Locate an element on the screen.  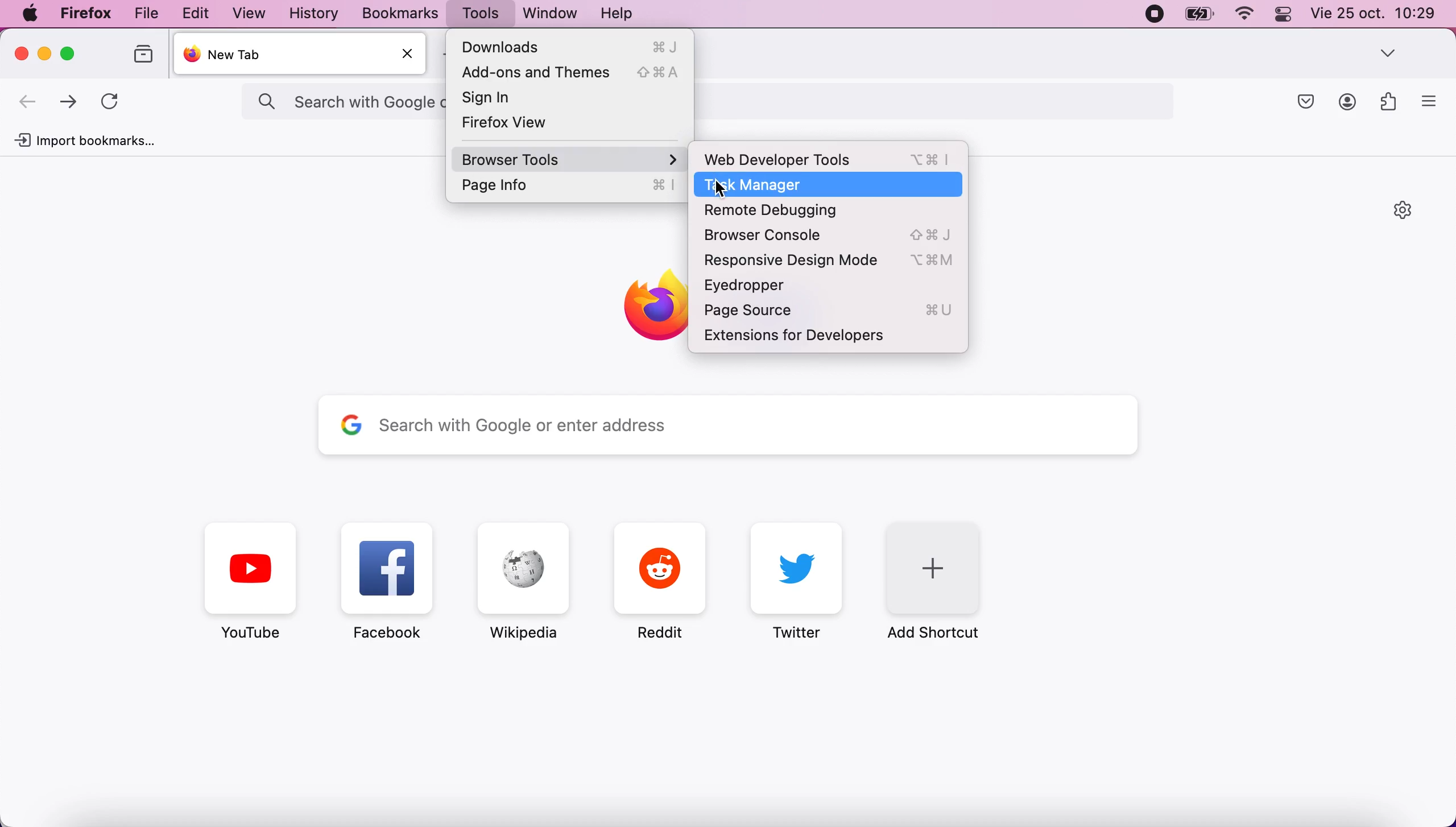
Reddit is located at coordinates (661, 581).